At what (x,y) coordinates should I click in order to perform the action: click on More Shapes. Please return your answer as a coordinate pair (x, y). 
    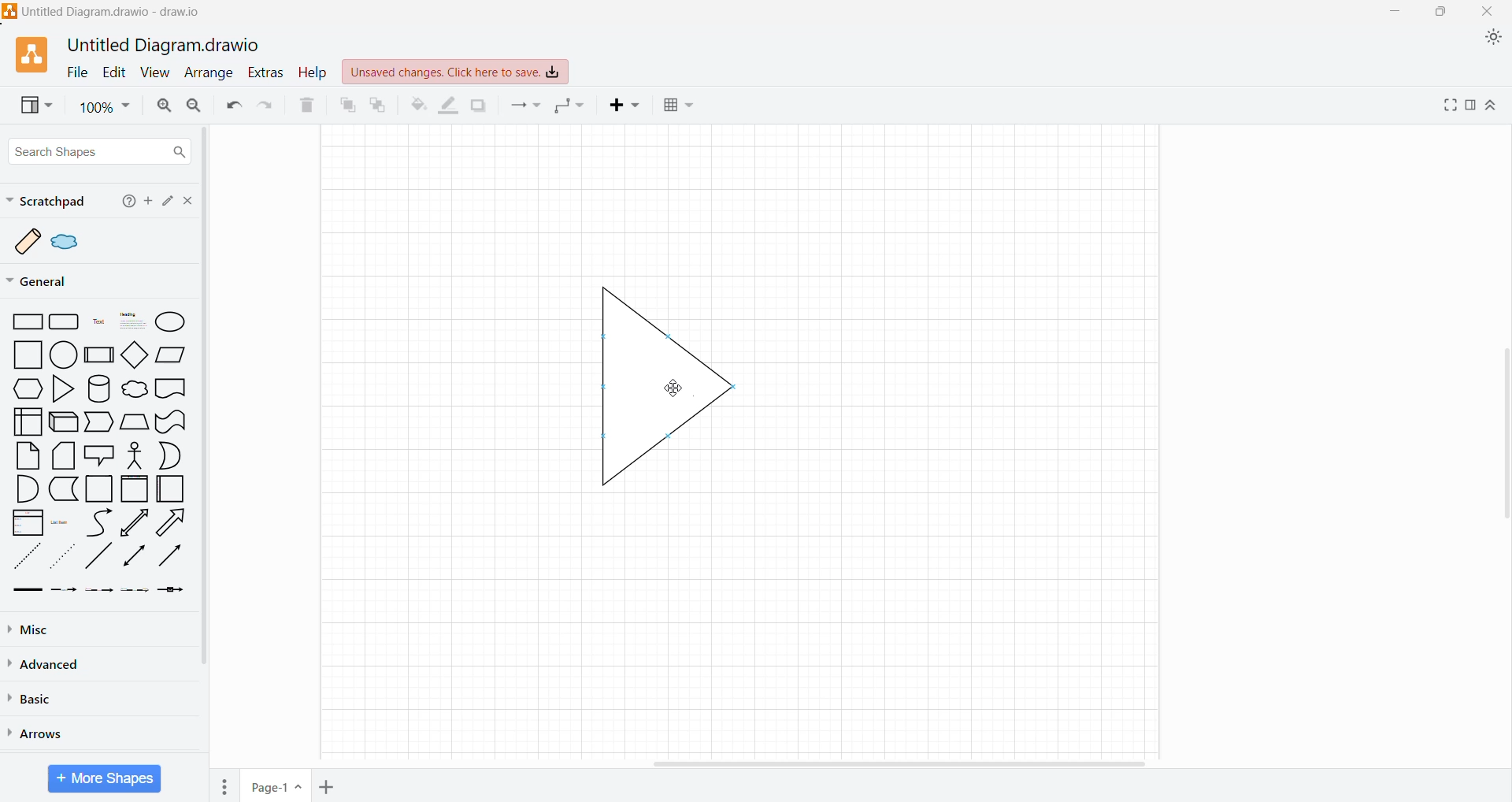
    Looking at the image, I should click on (105, 778).